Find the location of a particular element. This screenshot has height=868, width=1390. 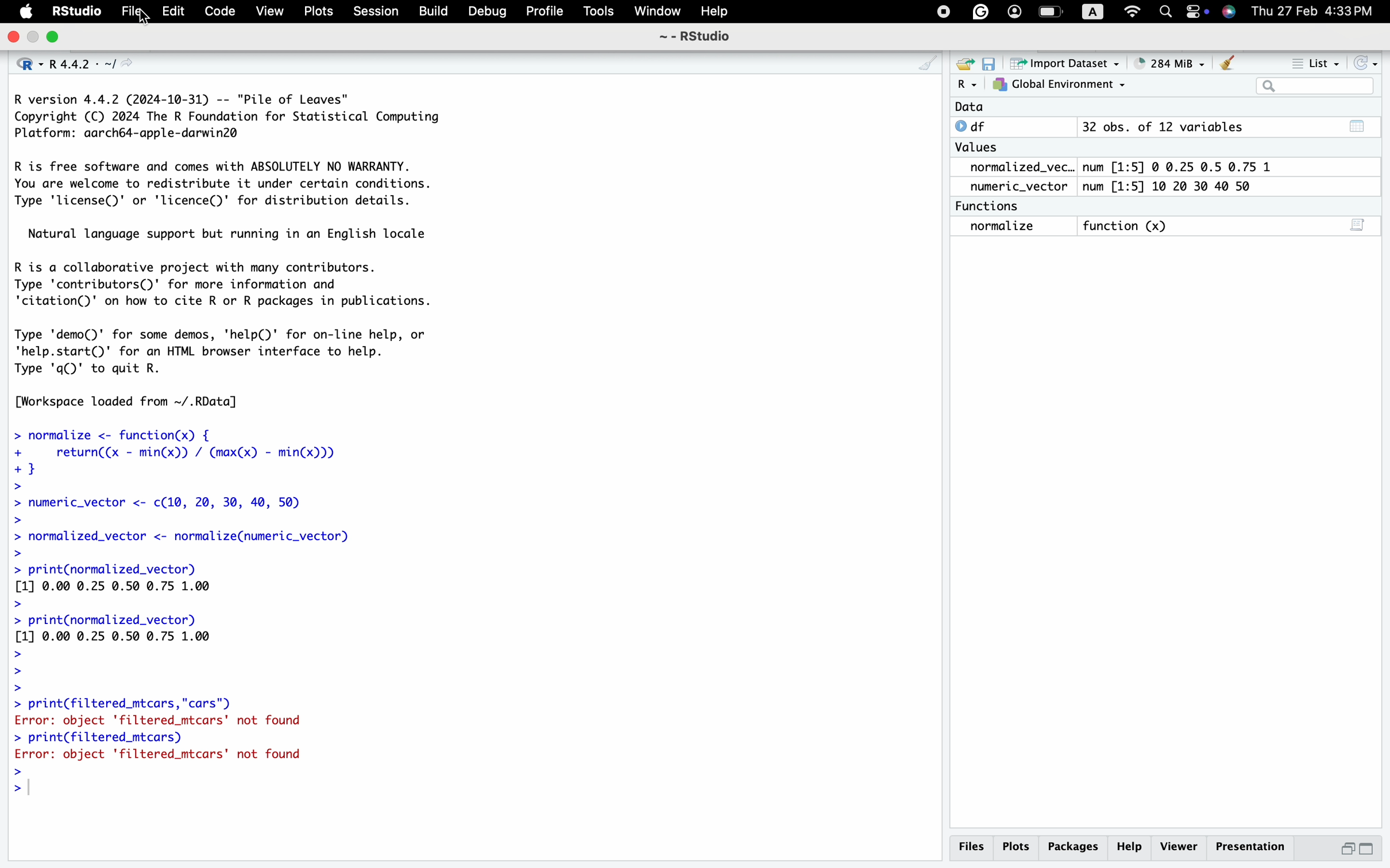

help is located at coordinates (1132, 846).